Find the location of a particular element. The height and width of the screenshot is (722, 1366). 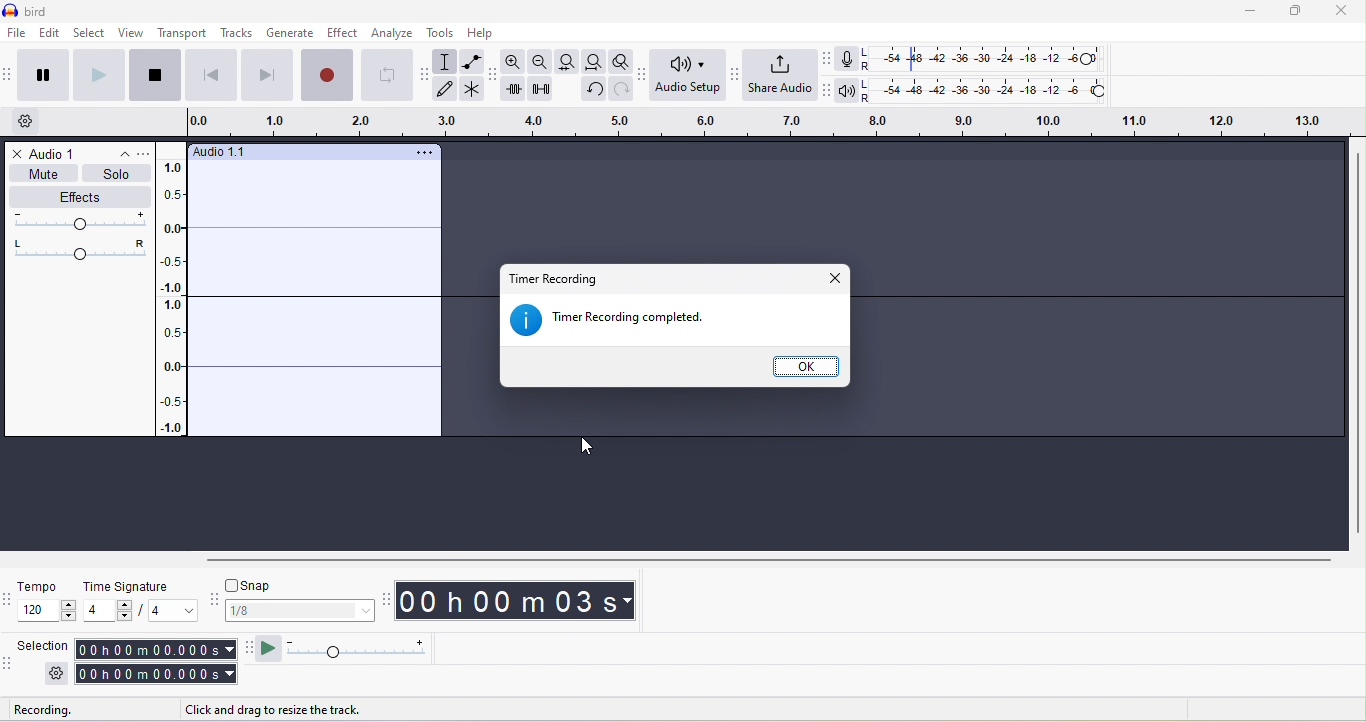

stop is located at coordinates (154, 76).